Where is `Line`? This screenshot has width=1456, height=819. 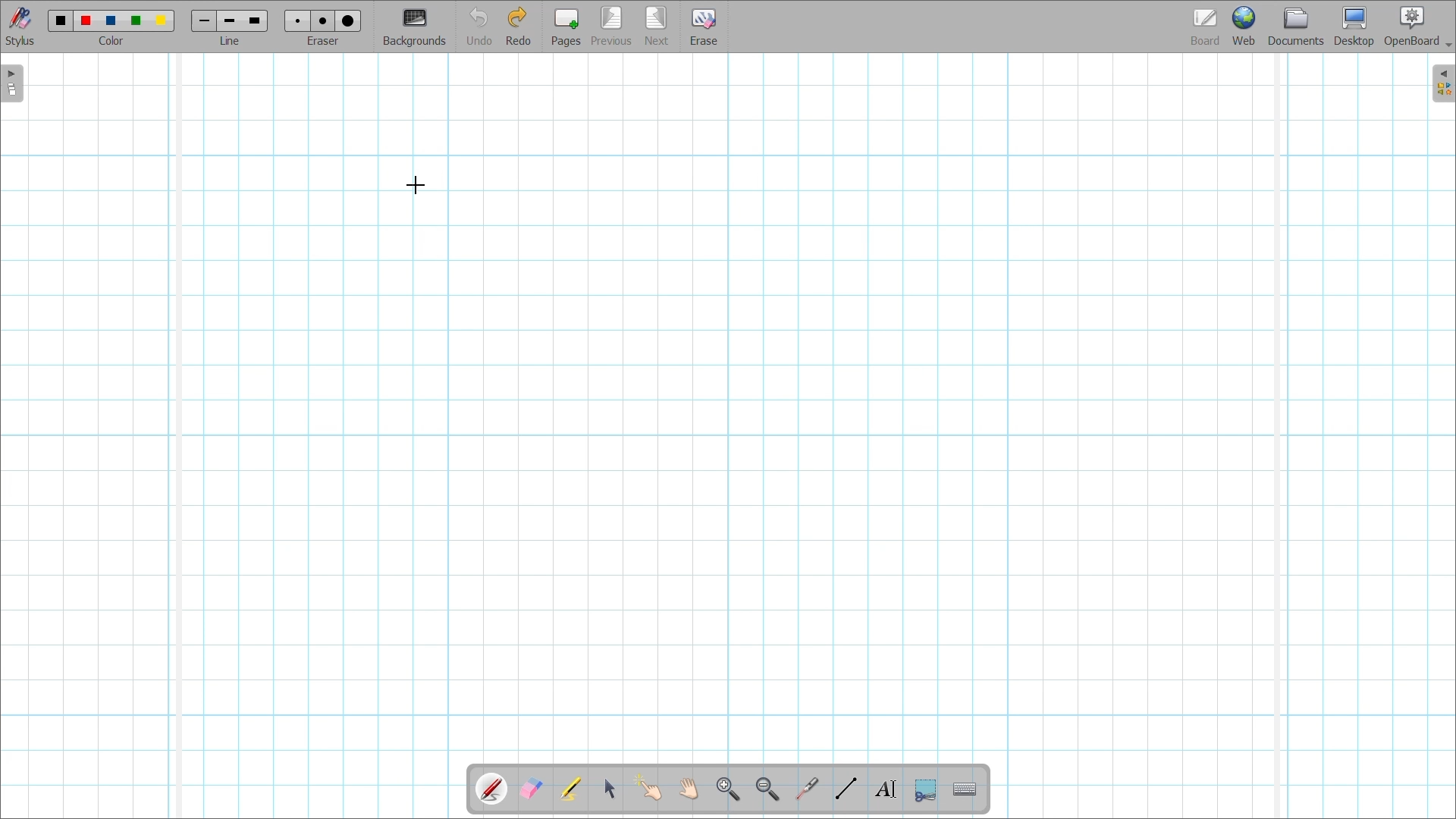 Line is located at coordinates (231, 41).